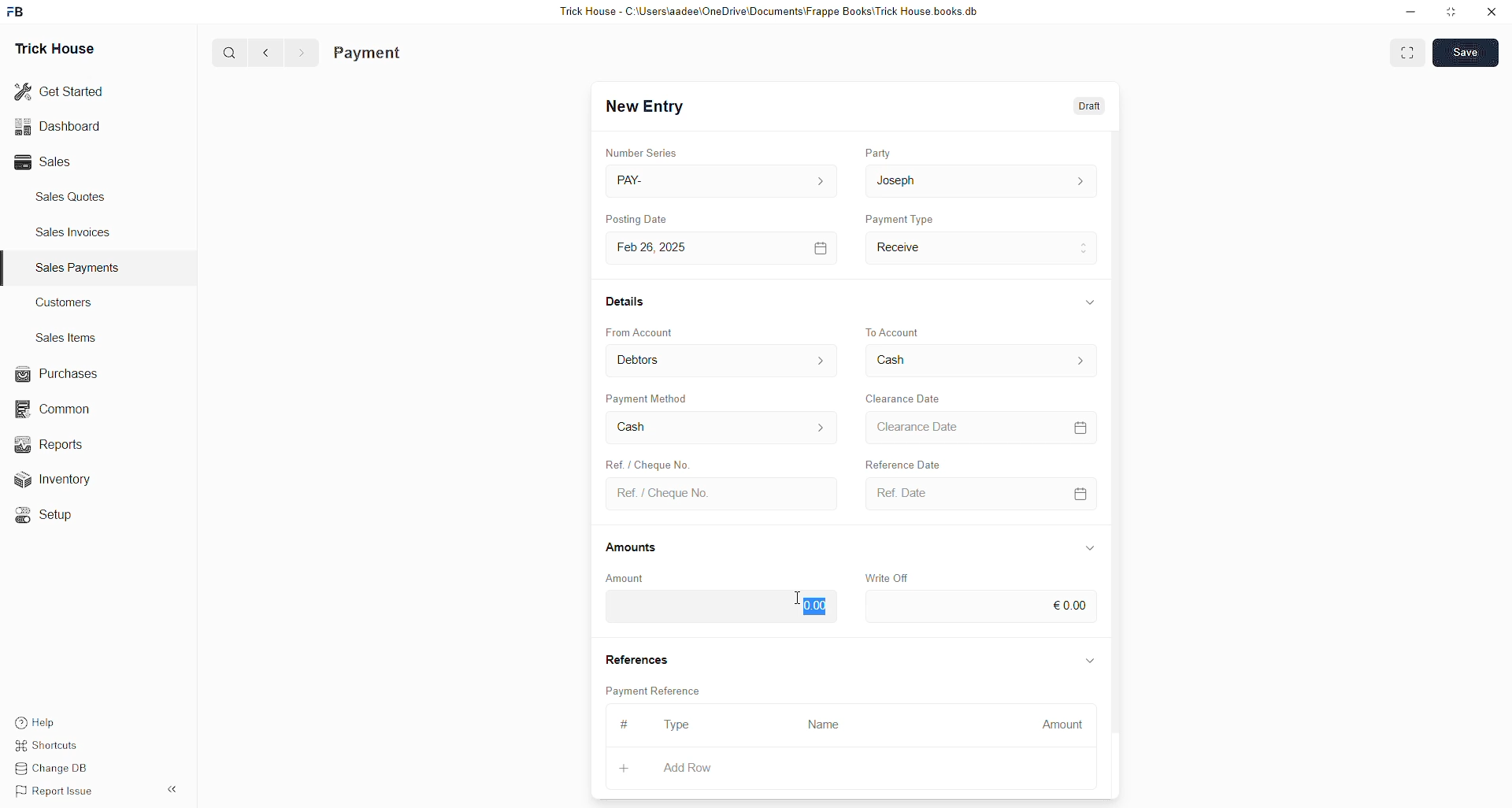 The image size is (1512, 808). Describe the element at coordinates (645, 106) in the screenshot. I see `New Entry` at that location.